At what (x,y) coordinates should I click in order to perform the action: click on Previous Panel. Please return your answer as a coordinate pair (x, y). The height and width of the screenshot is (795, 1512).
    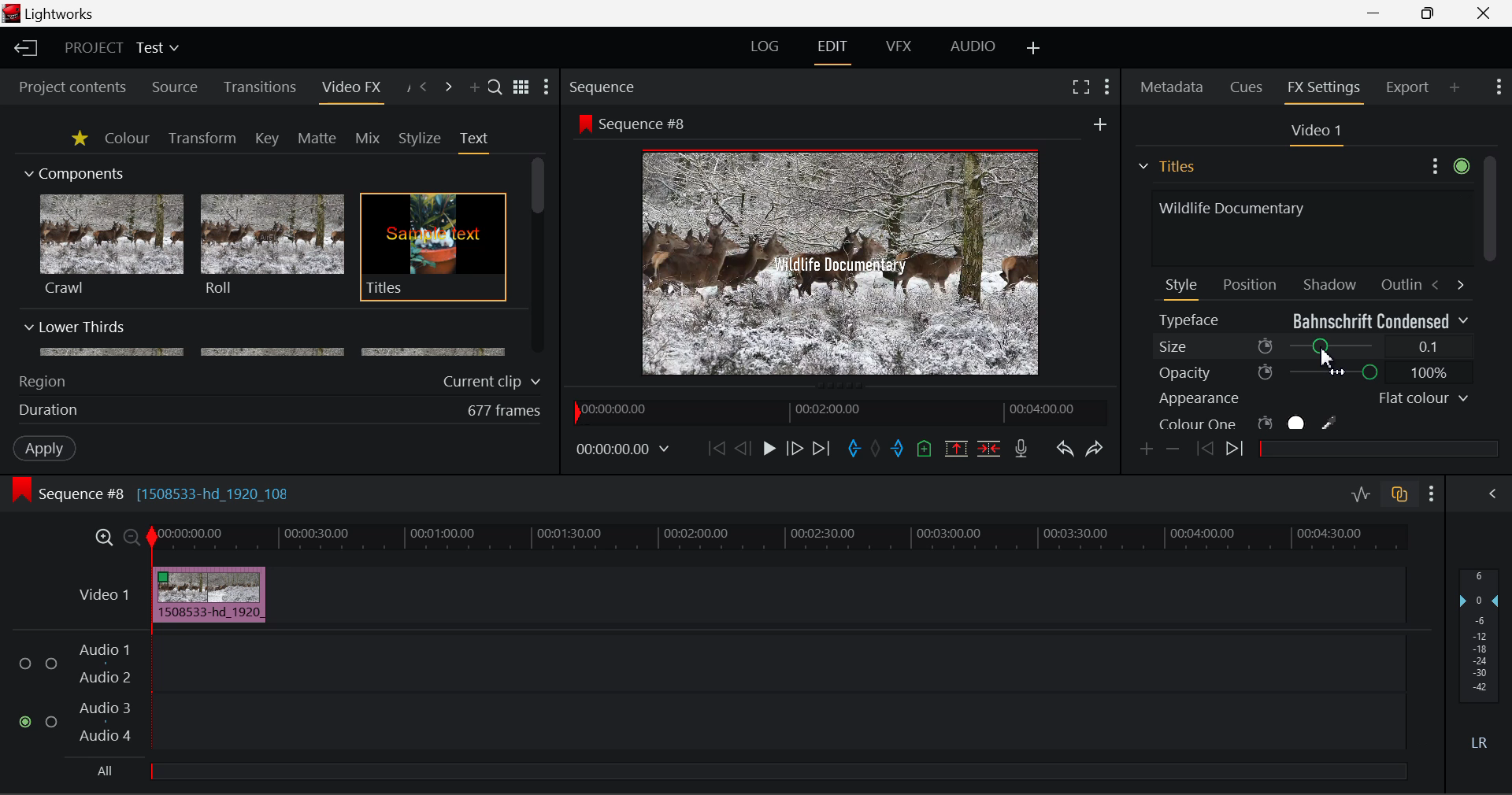
    Looking at the image, I should click on (422, 88).